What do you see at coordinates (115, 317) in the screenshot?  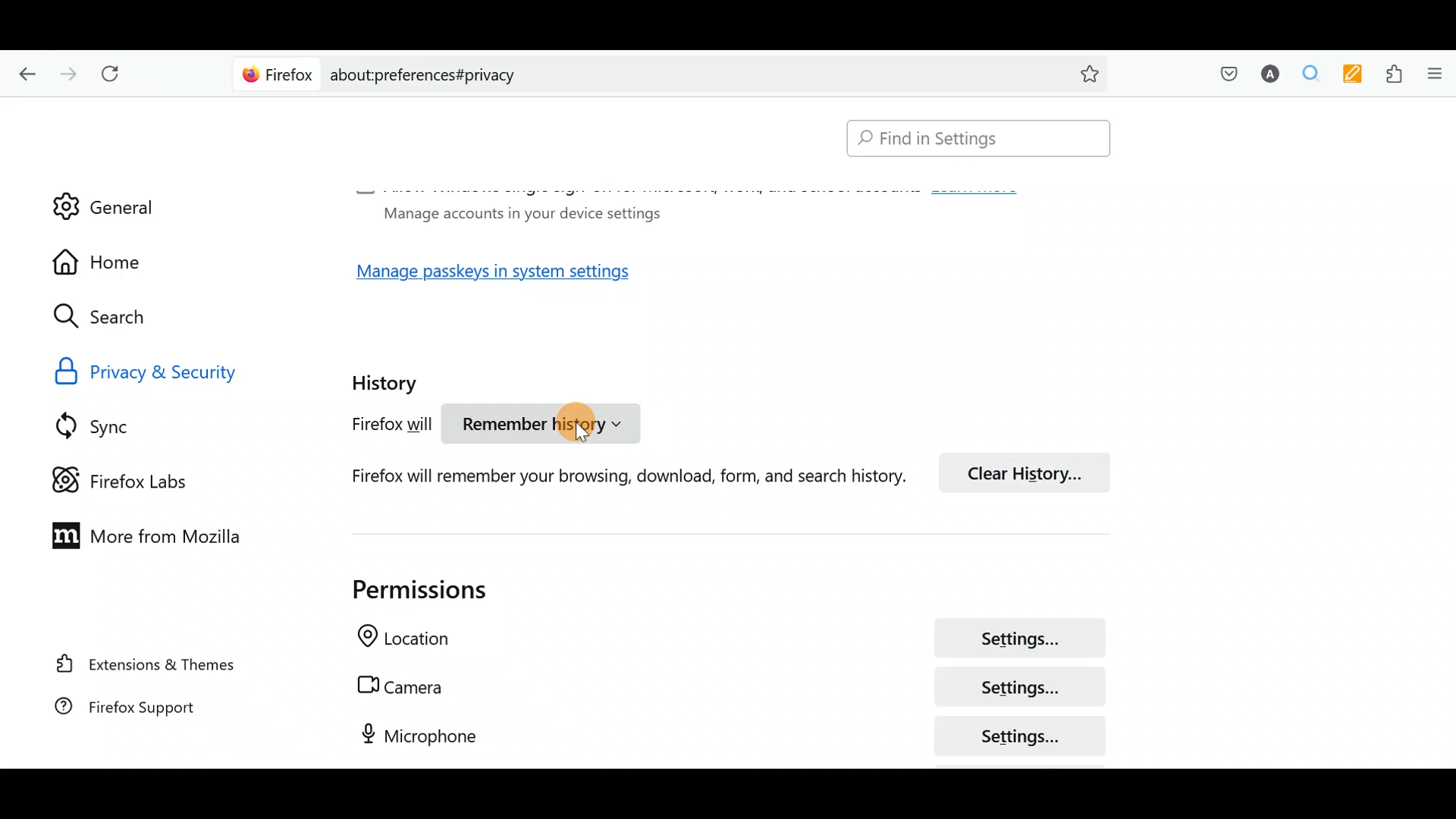 I see `Search icon` at bounding box center [115, 317].